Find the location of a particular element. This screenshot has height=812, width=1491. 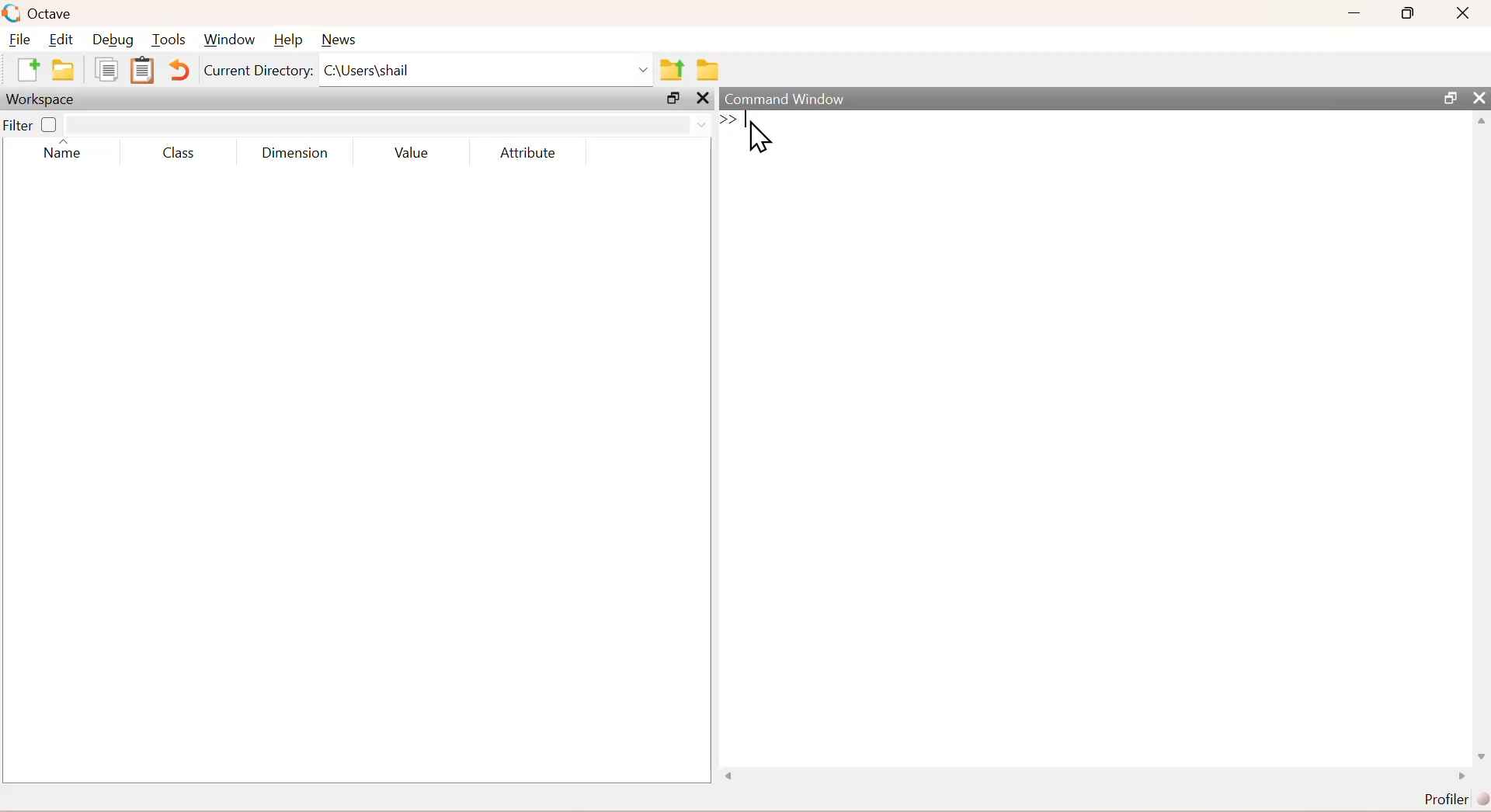

News is located at coordinates (342, 38).